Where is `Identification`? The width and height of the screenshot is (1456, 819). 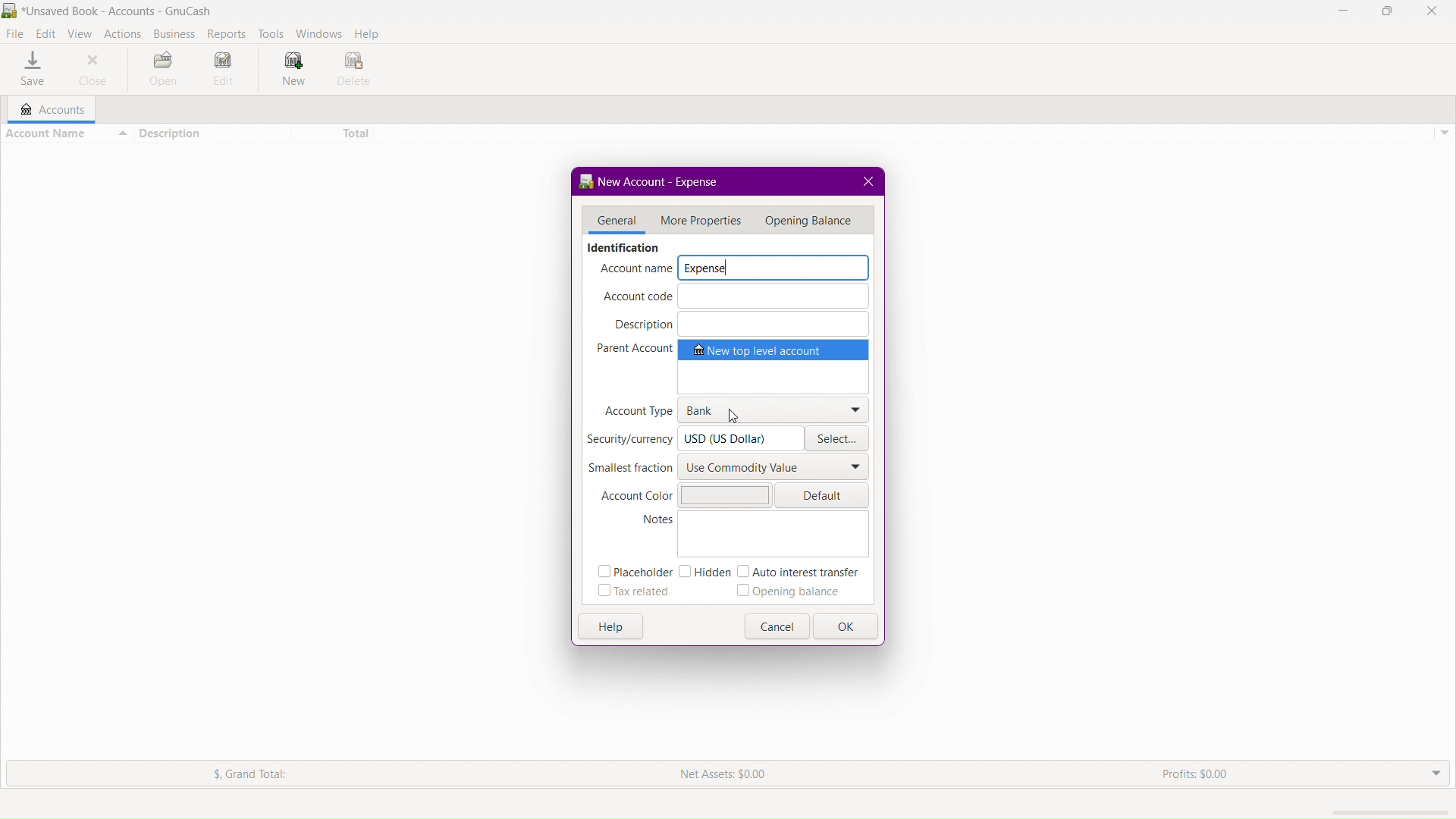 Identification is located at coordinates (622, 247).